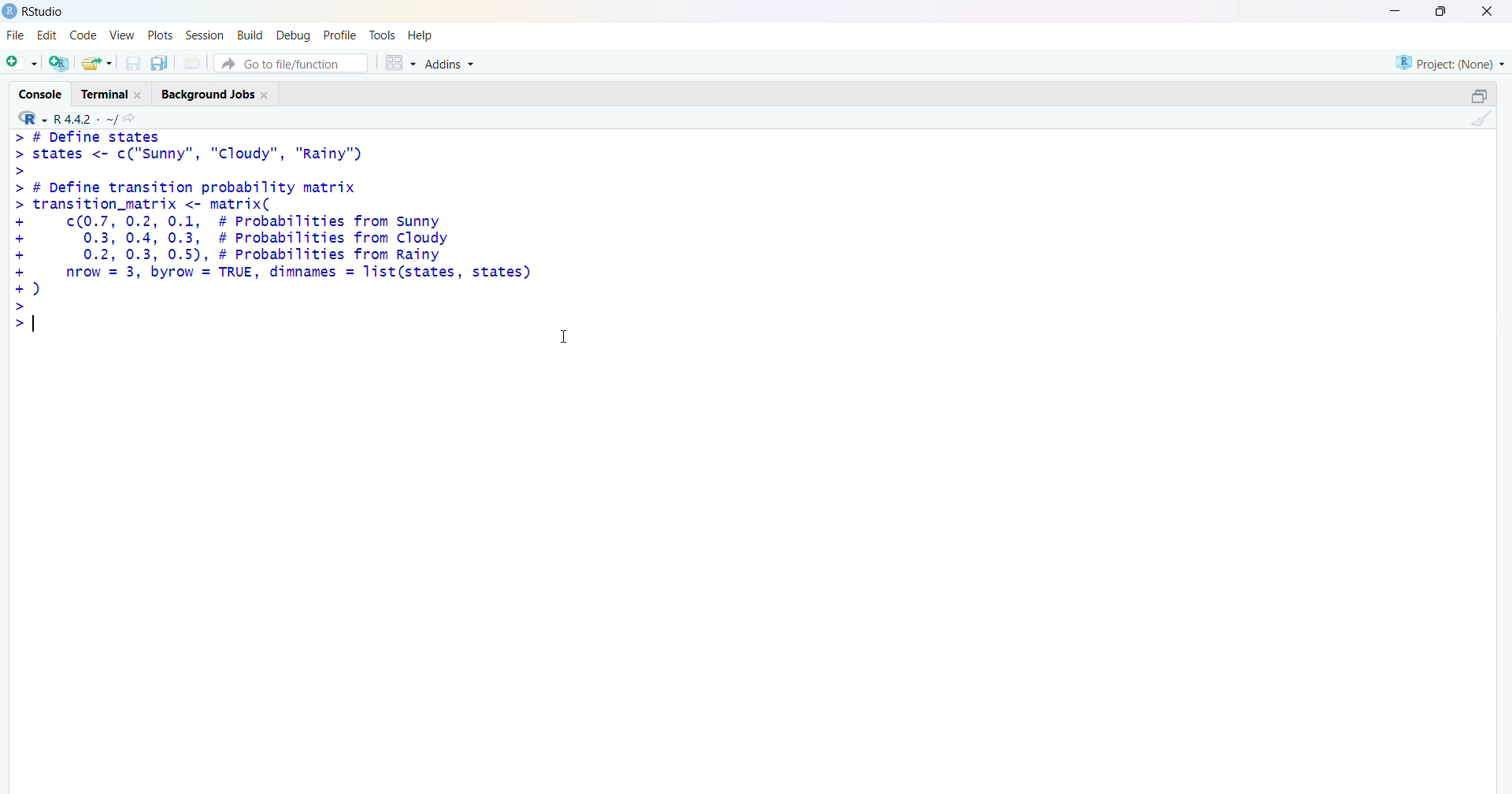  What do you see at coordinates (399, 65) in the screenshot?
I see `workspace panes` at bounding box center [399, 65].